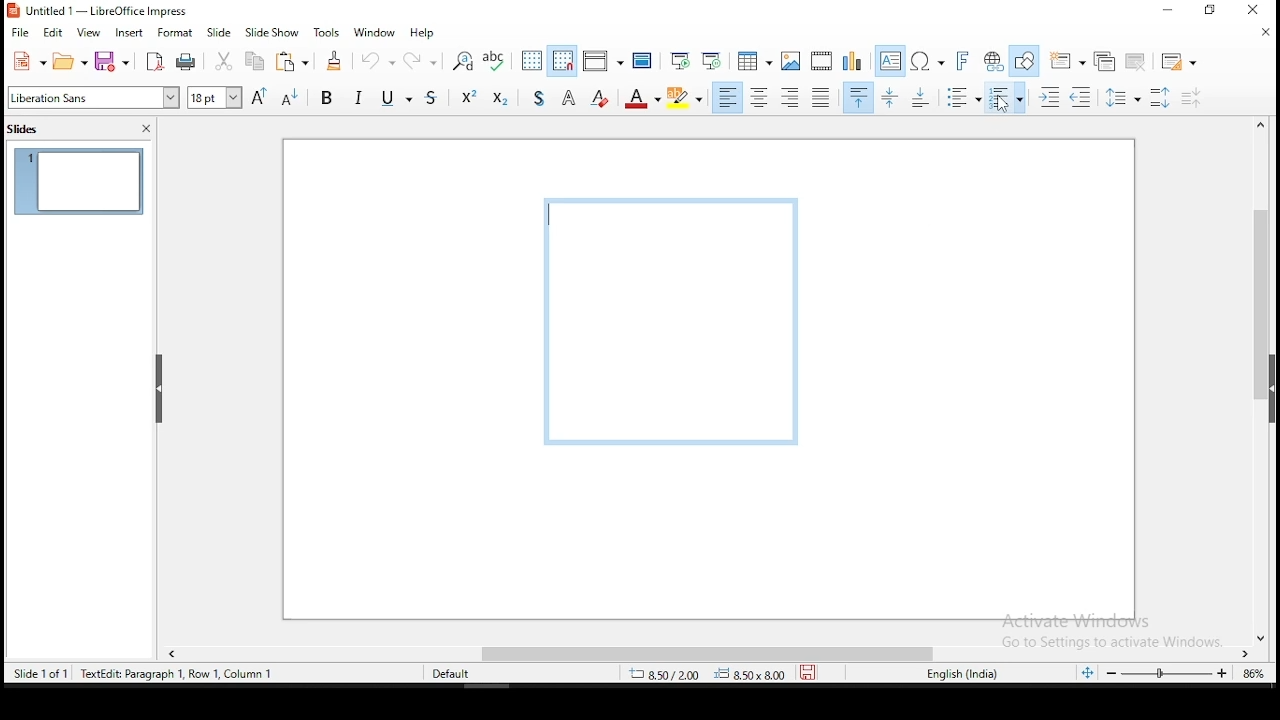  Describe the element at coordinates (1256, 12) in the screenshot. I see `close window` at that location.